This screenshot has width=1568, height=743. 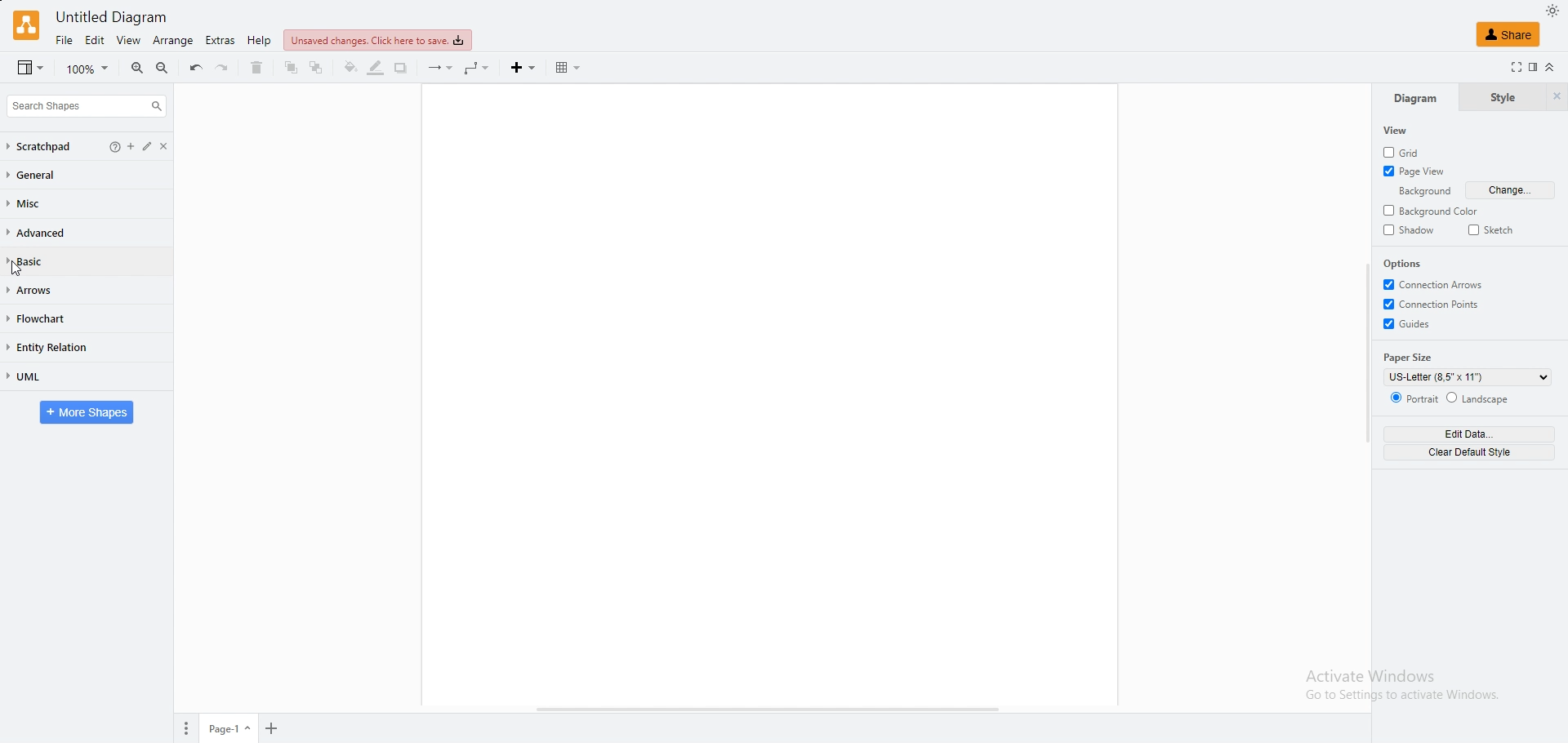 I want to click on edit data, so click(x=1468, y=434).